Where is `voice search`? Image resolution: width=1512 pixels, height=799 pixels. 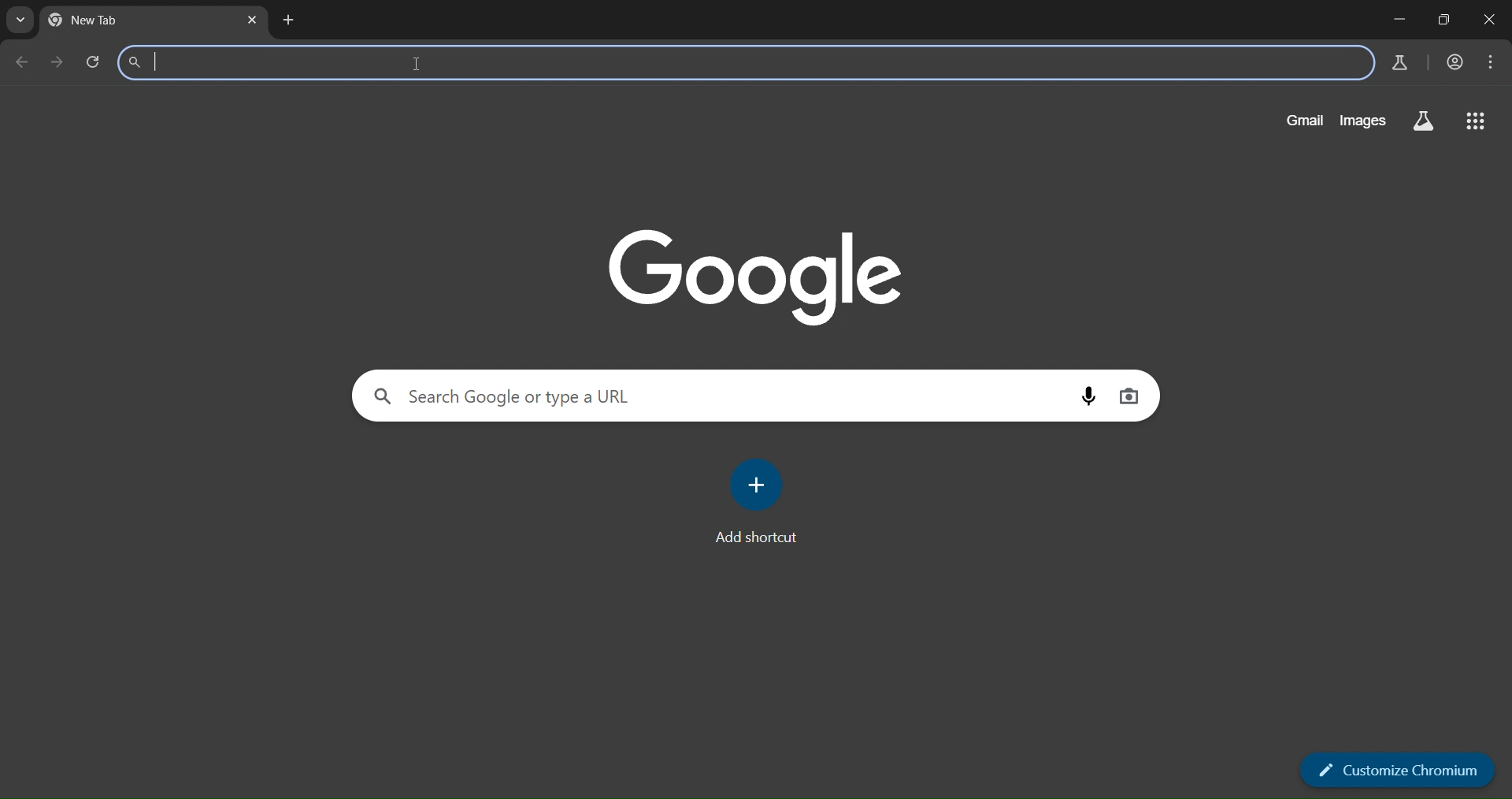
voice search is located at coordinates (1091, 398).